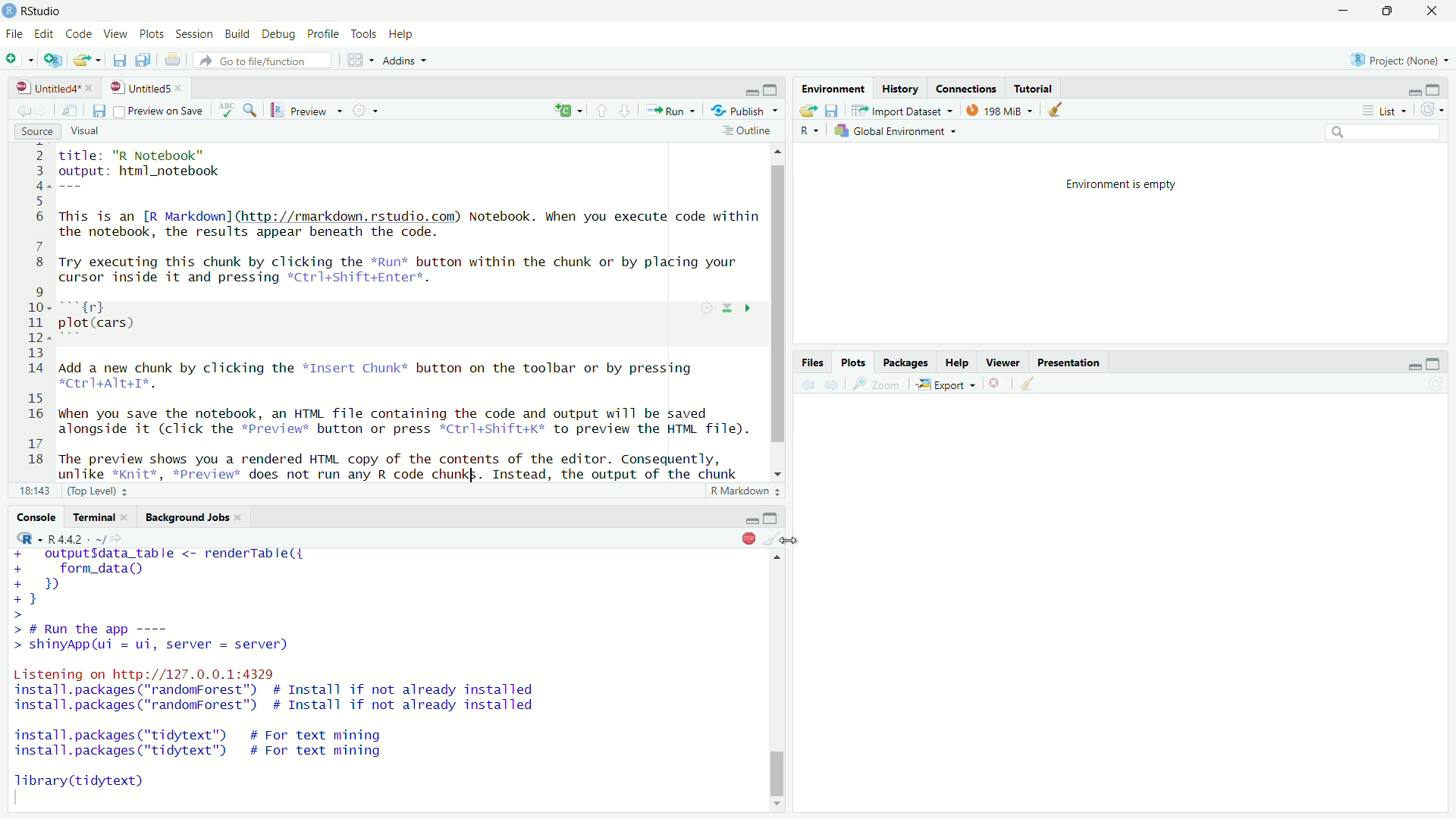  Describe the element at coordinates (1433, 365) in the screenshot. I see `maximize` at that location.